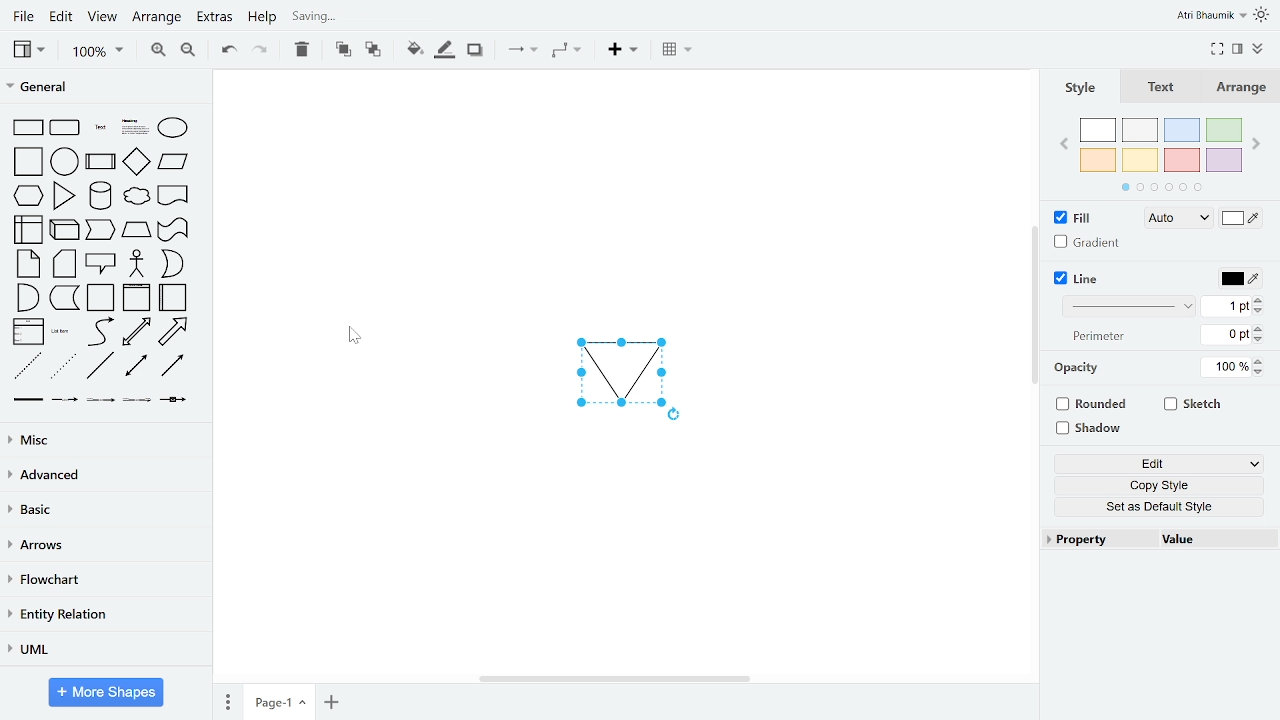 The image size is (1280, 720). What do you see at coordinates (1099, 130) in the screenshot?
I see `white` at bounding box center [1099, 130].